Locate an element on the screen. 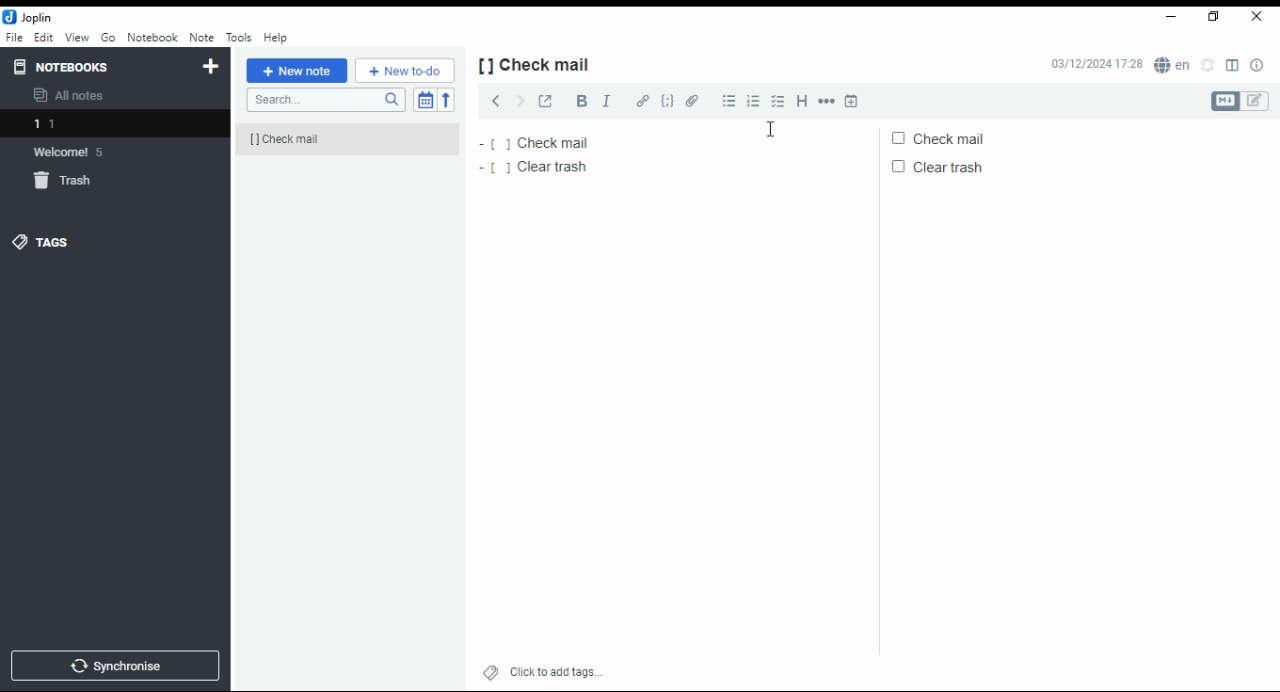  synchronize is located at coordinates (116, 666).